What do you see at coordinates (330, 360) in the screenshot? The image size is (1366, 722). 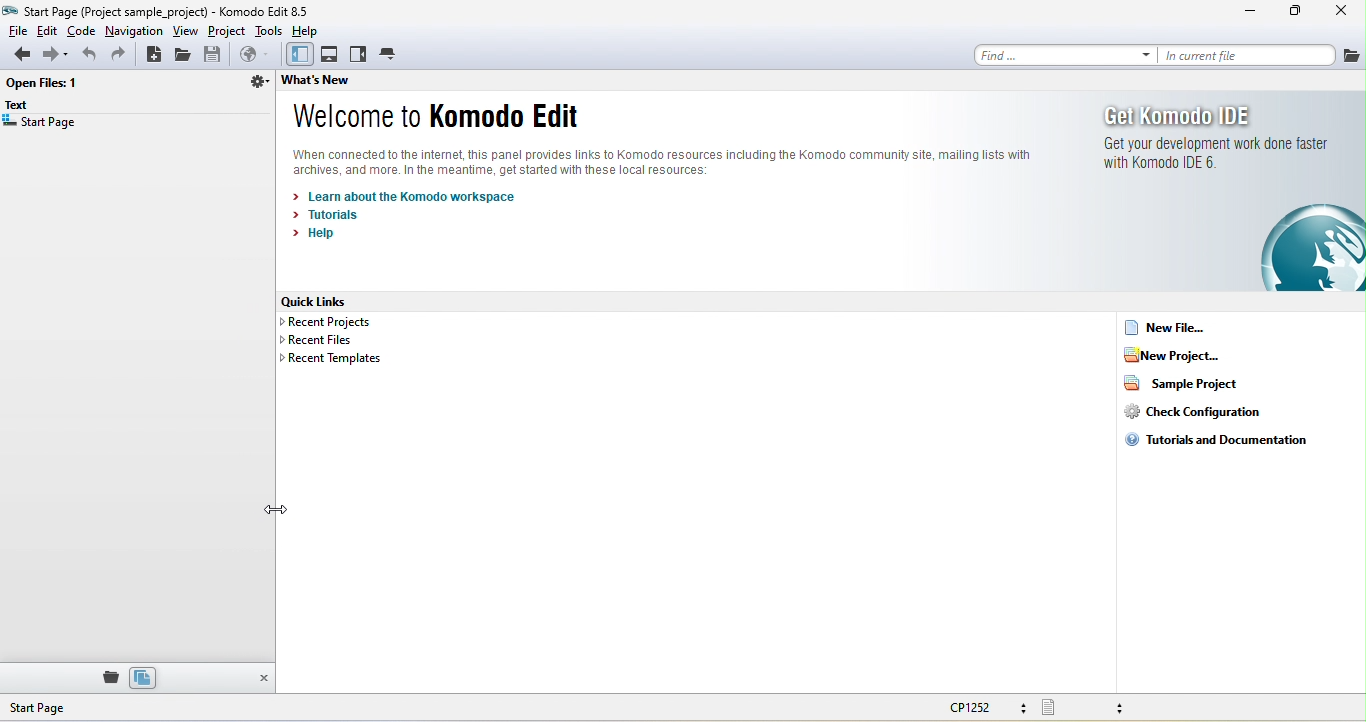 I see `recent templates` at bounding box center [330, 360].